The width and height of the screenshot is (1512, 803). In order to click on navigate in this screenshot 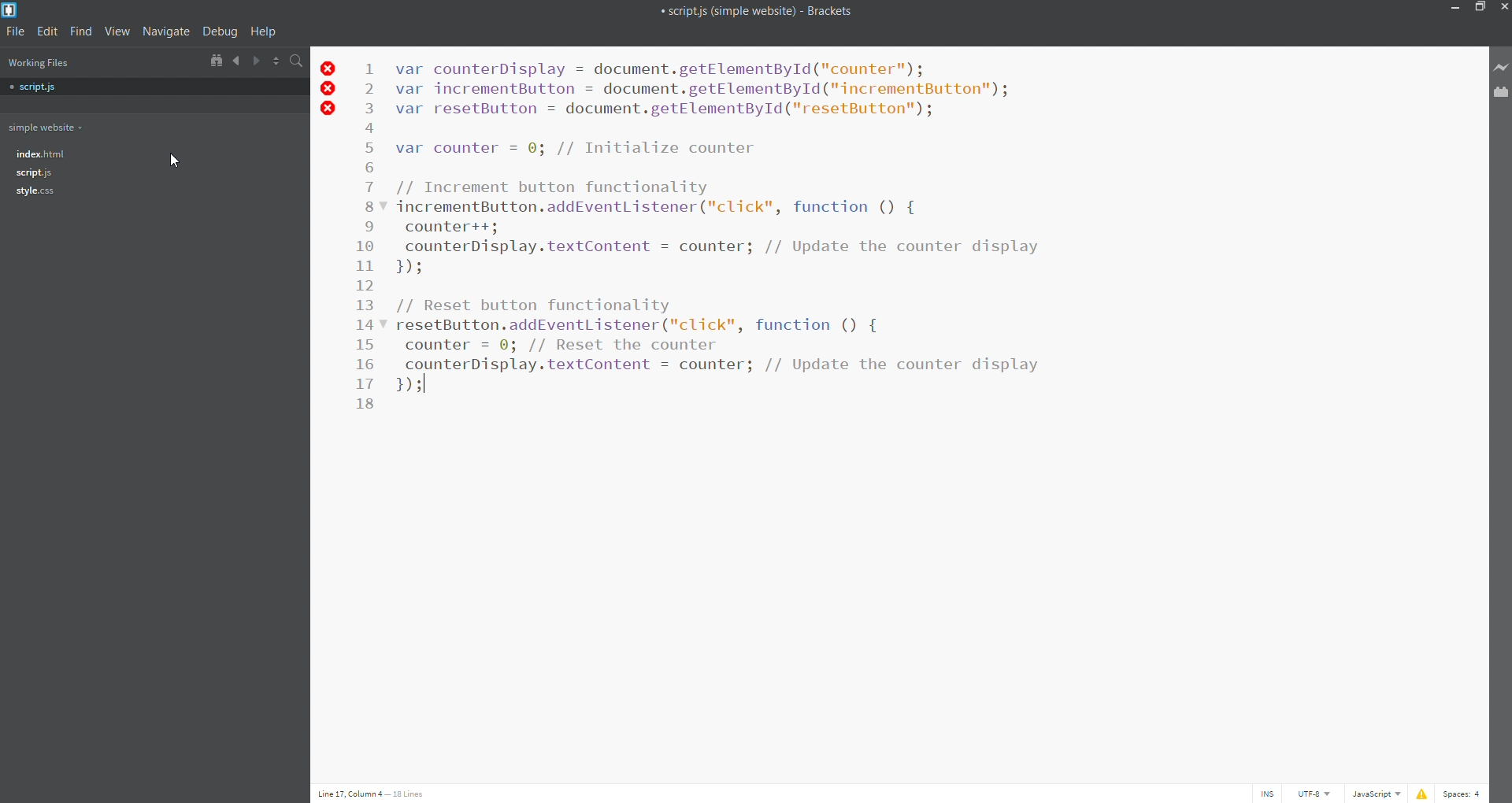, I will do `click(167, 31)`.